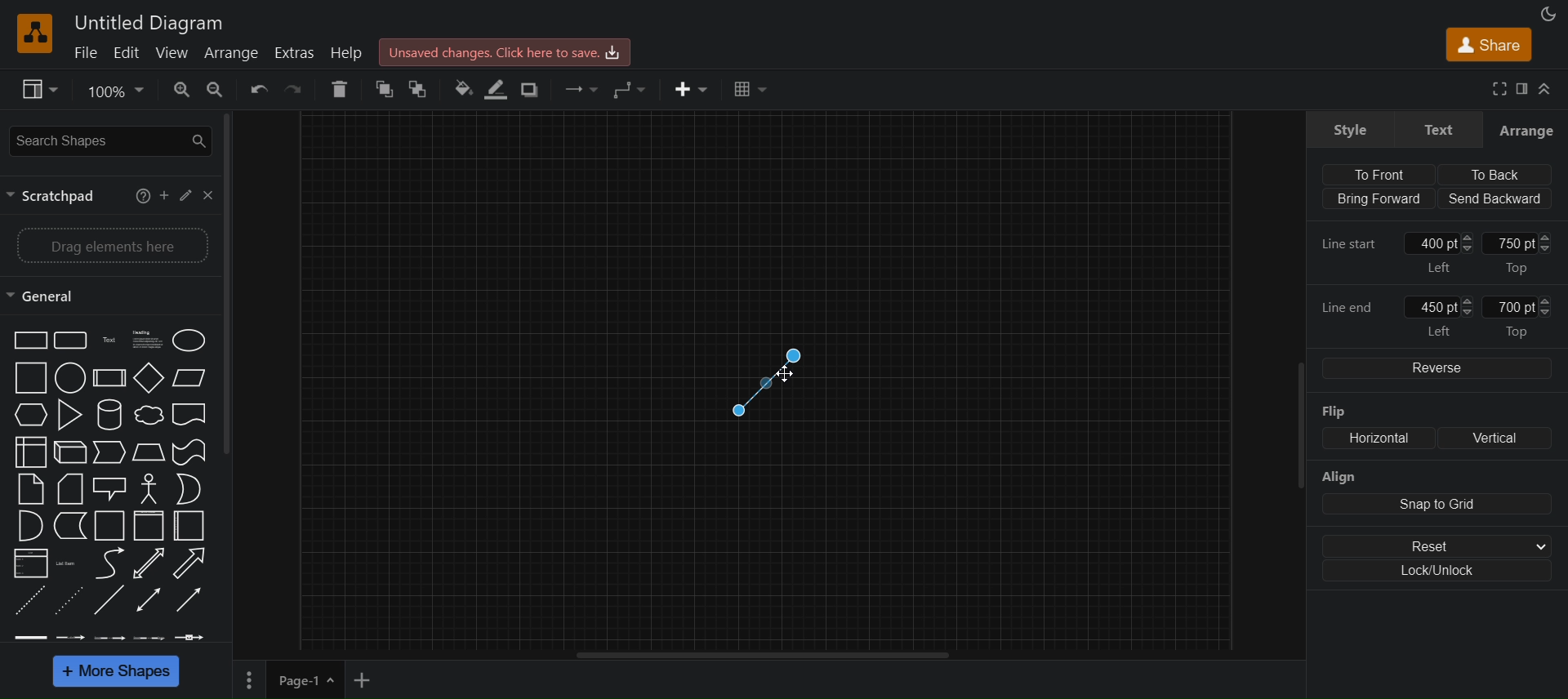 Image resolution: width=1568 pixels, height=699 pixels. What do you see at coordinates (1441, 573) in the screenshot?
I see `lock/unlock` at bounding box center [1441, 573].